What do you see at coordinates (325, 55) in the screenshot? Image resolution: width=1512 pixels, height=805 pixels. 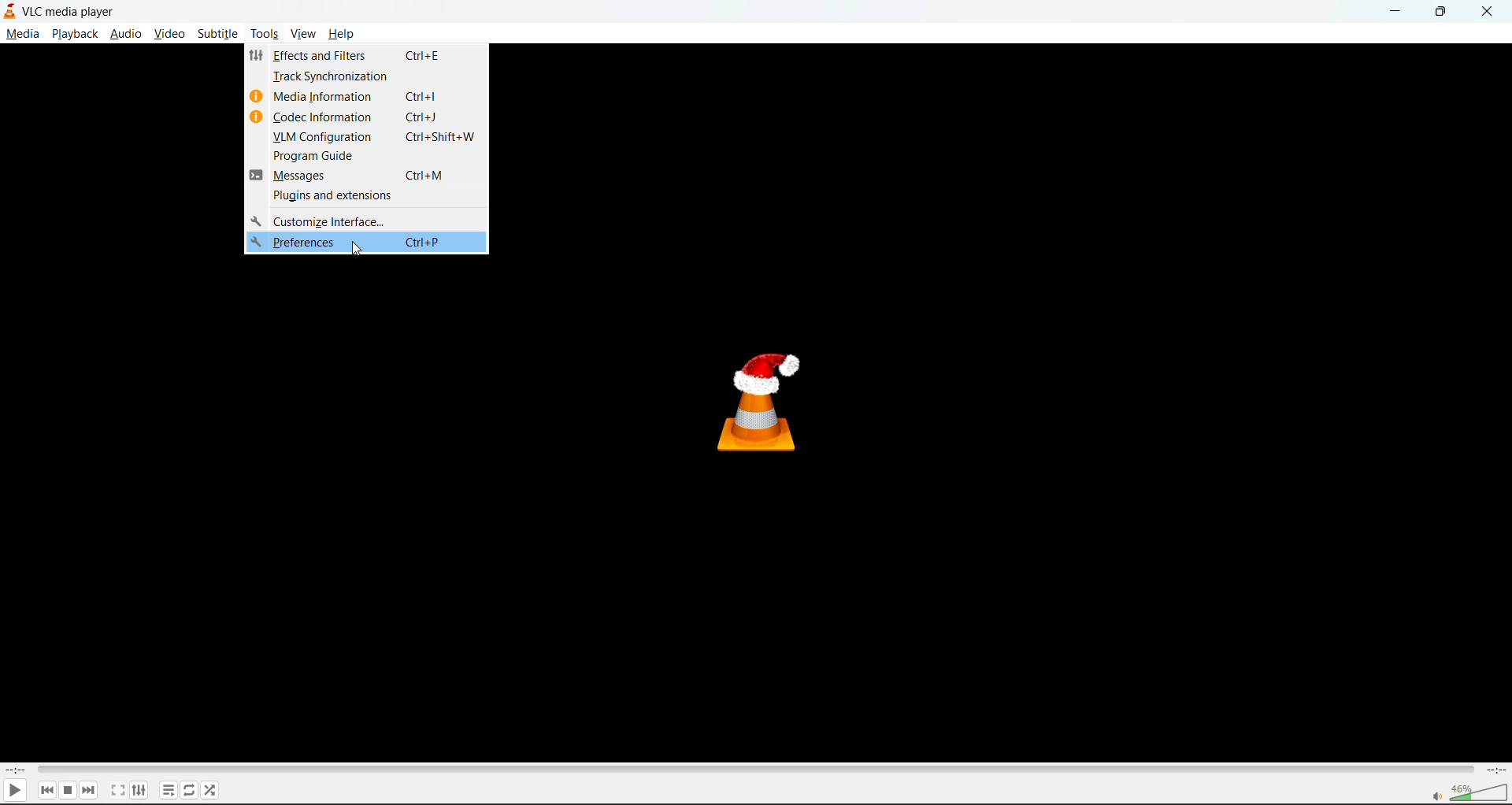 I see `effects and filters` at bounding box center [325, 55].